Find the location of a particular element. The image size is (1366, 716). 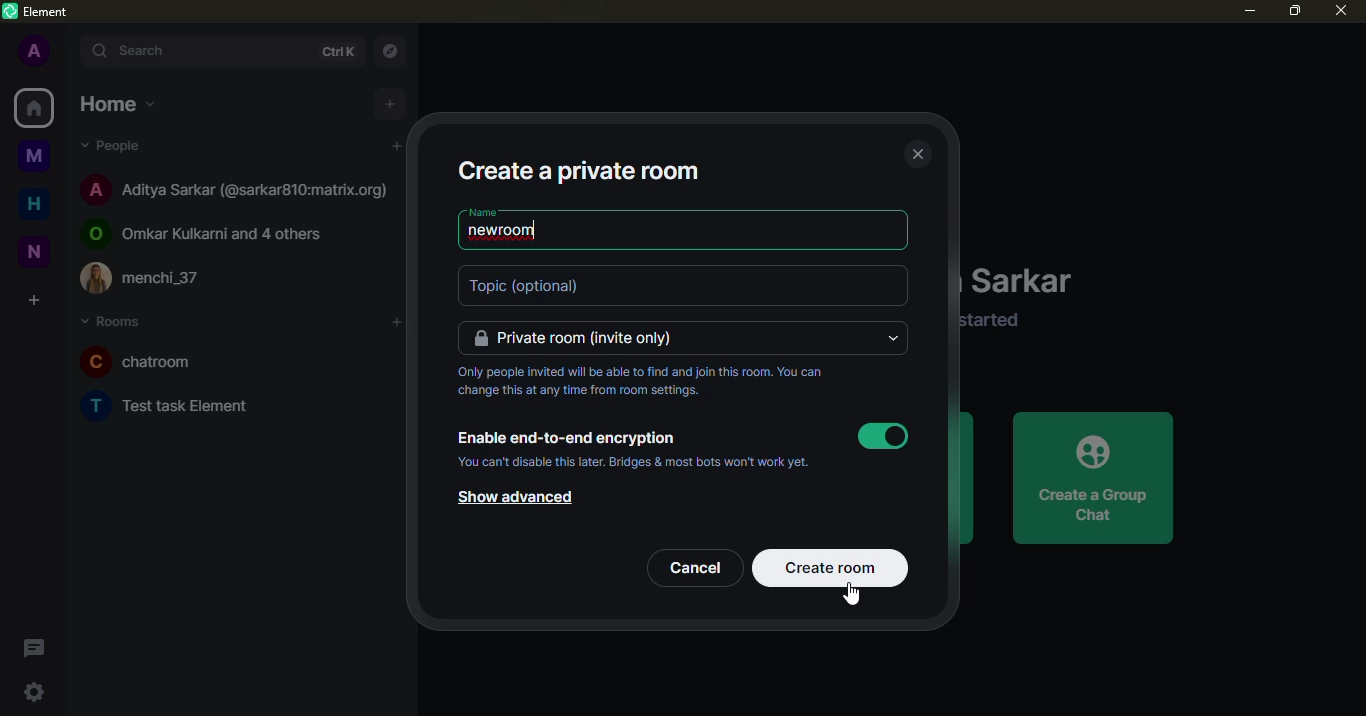

threads is located at coordinates (34, 647).